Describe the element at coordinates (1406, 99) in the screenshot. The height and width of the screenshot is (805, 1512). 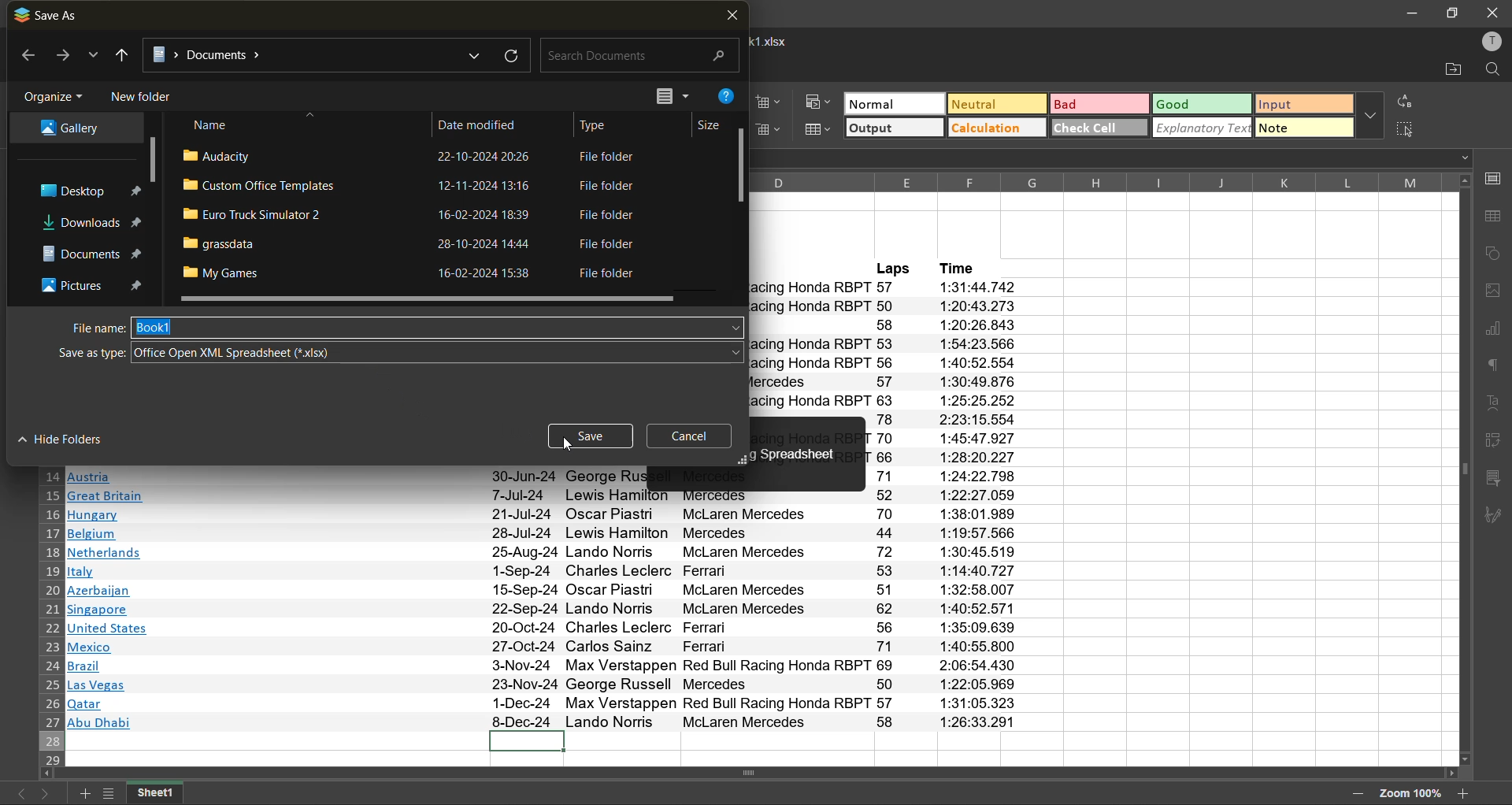
I see `replace` at that location.